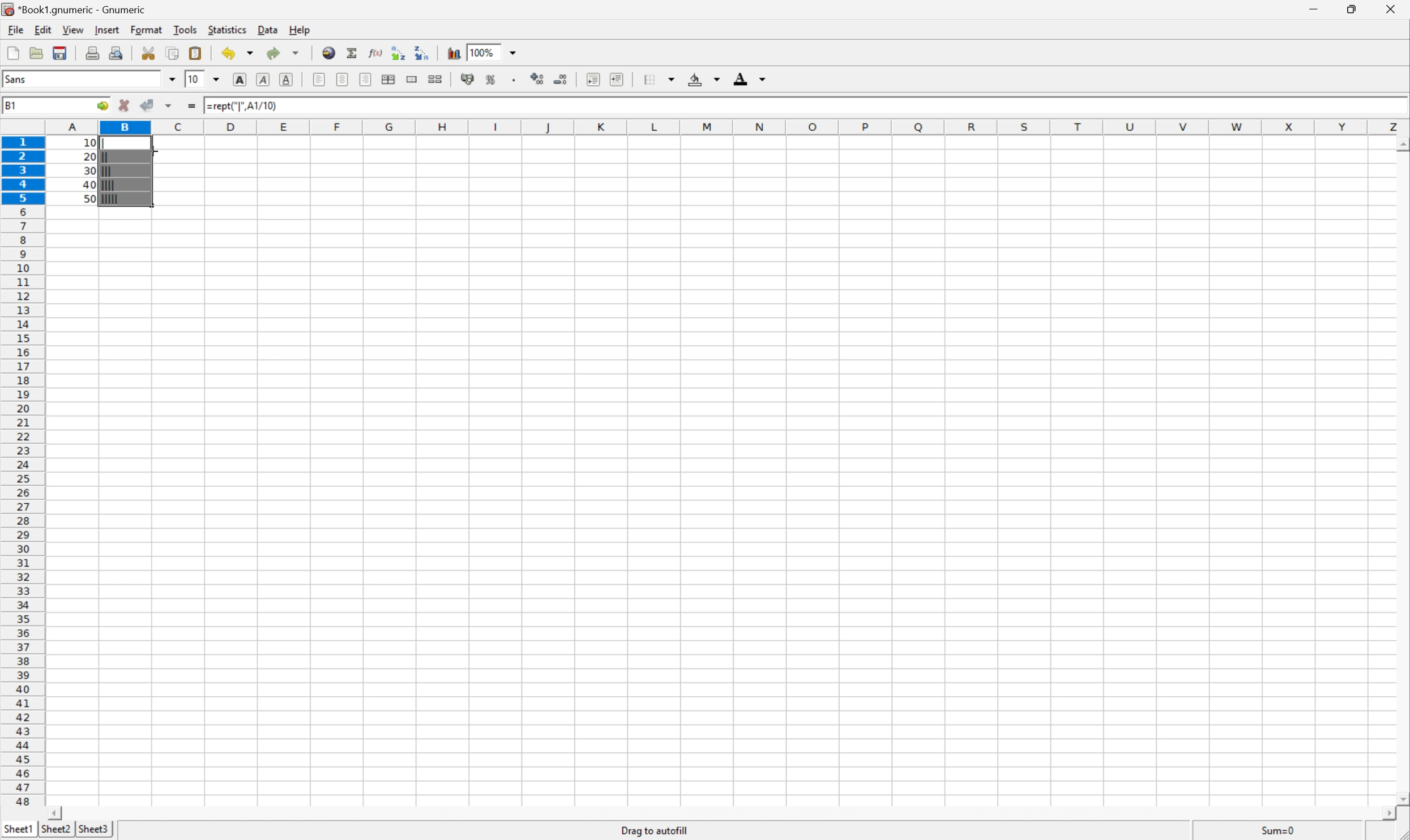 The image size is (1410, 840). I want to click on Underline, so click(287, 79).